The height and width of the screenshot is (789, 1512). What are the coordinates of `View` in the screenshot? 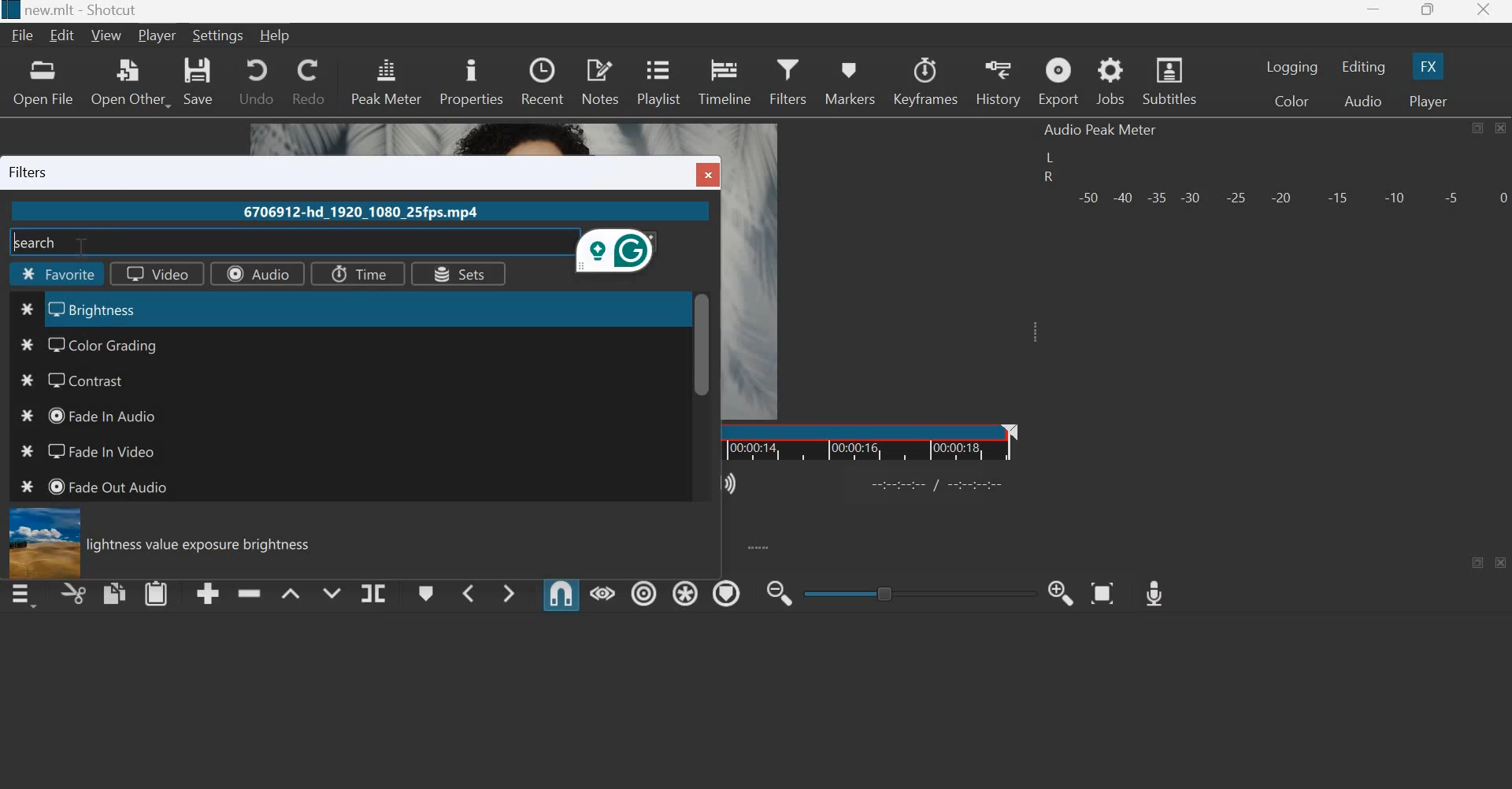 It's located at (109, 35).